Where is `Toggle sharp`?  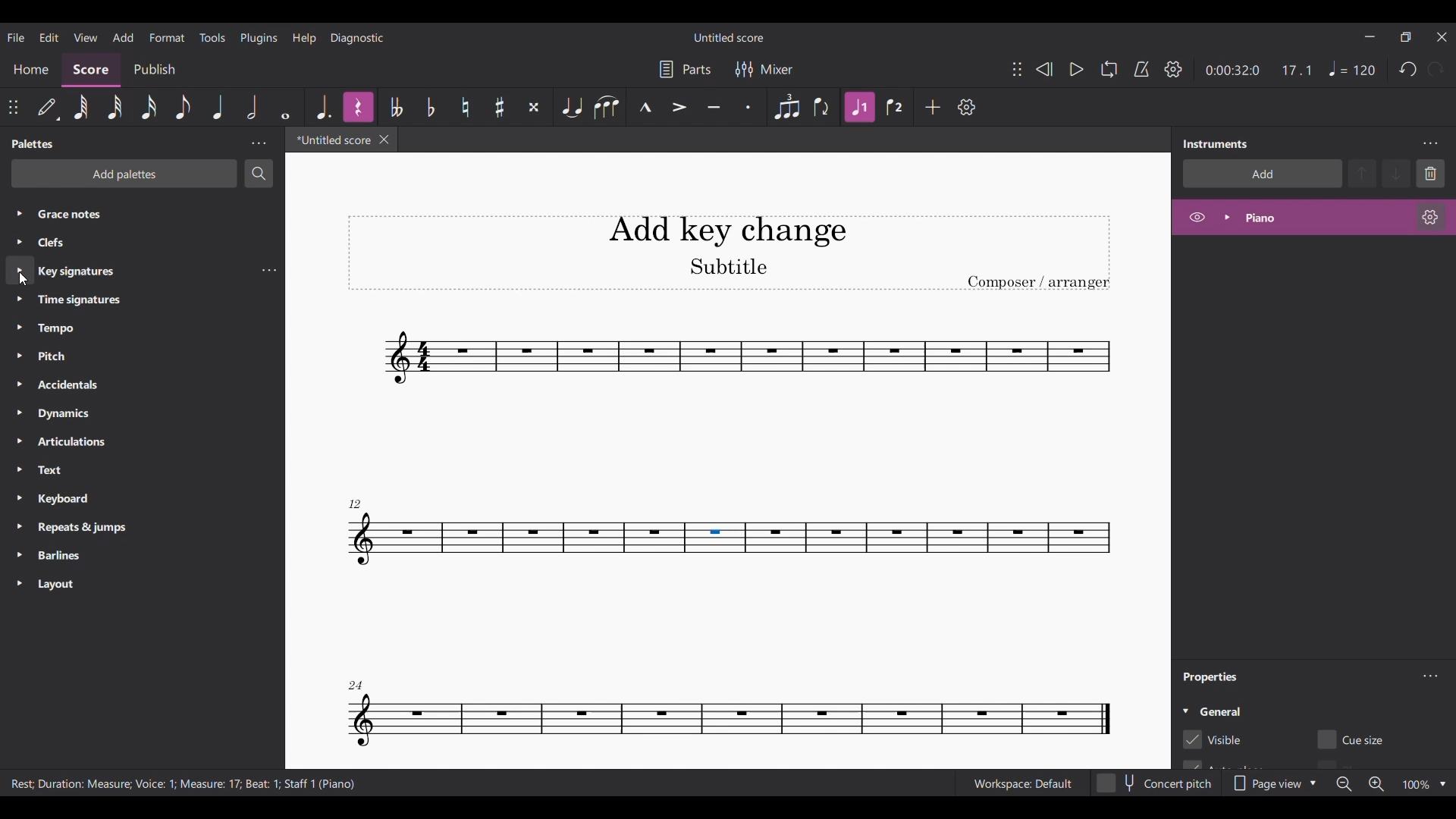 Toggle sharp is located at coordinates (466, 107).